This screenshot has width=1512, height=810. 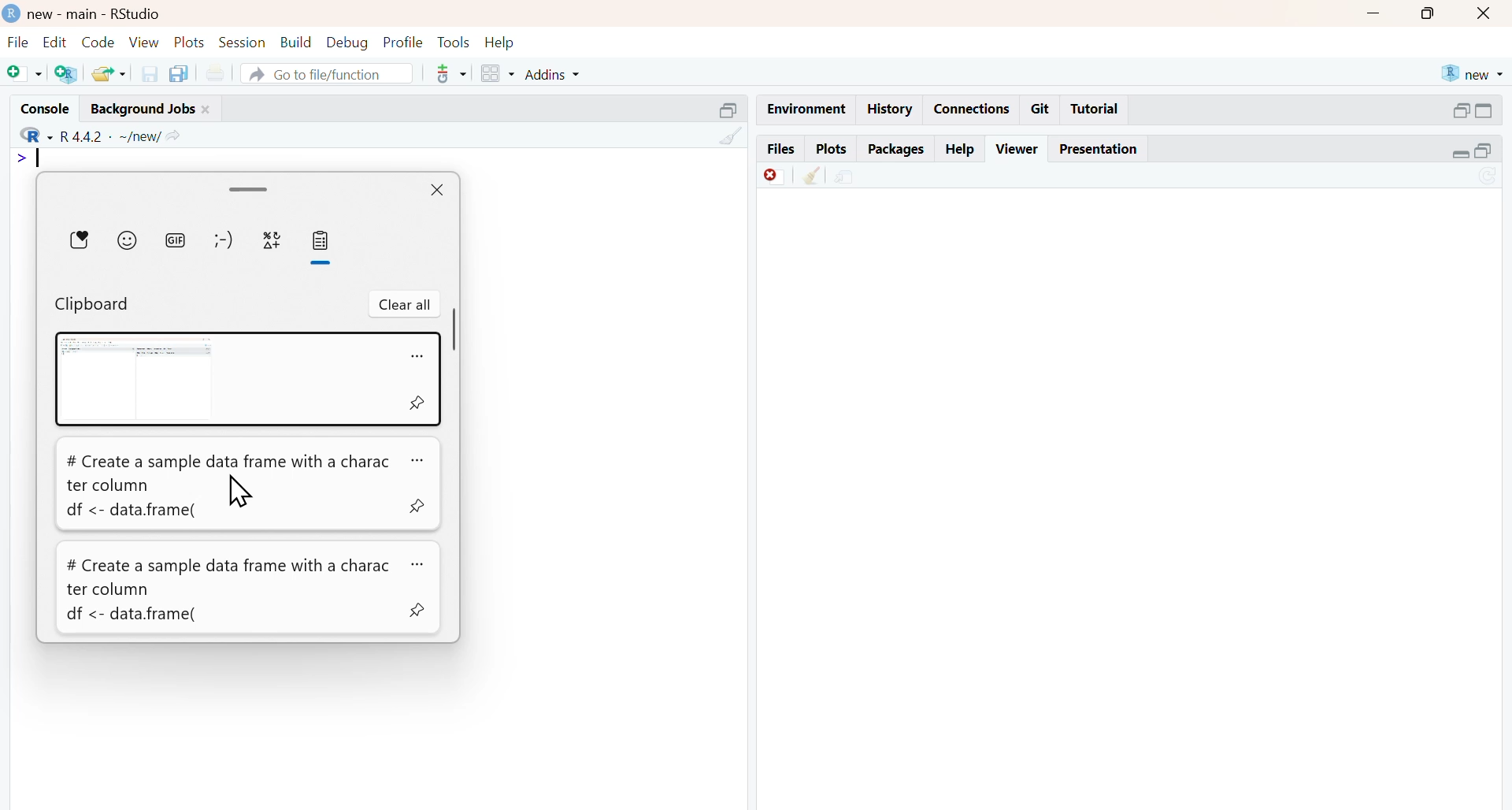 What do you see at coordinates (1490, 177) in the screenshot?
I see `sync` at bounding box center [1490, 177].